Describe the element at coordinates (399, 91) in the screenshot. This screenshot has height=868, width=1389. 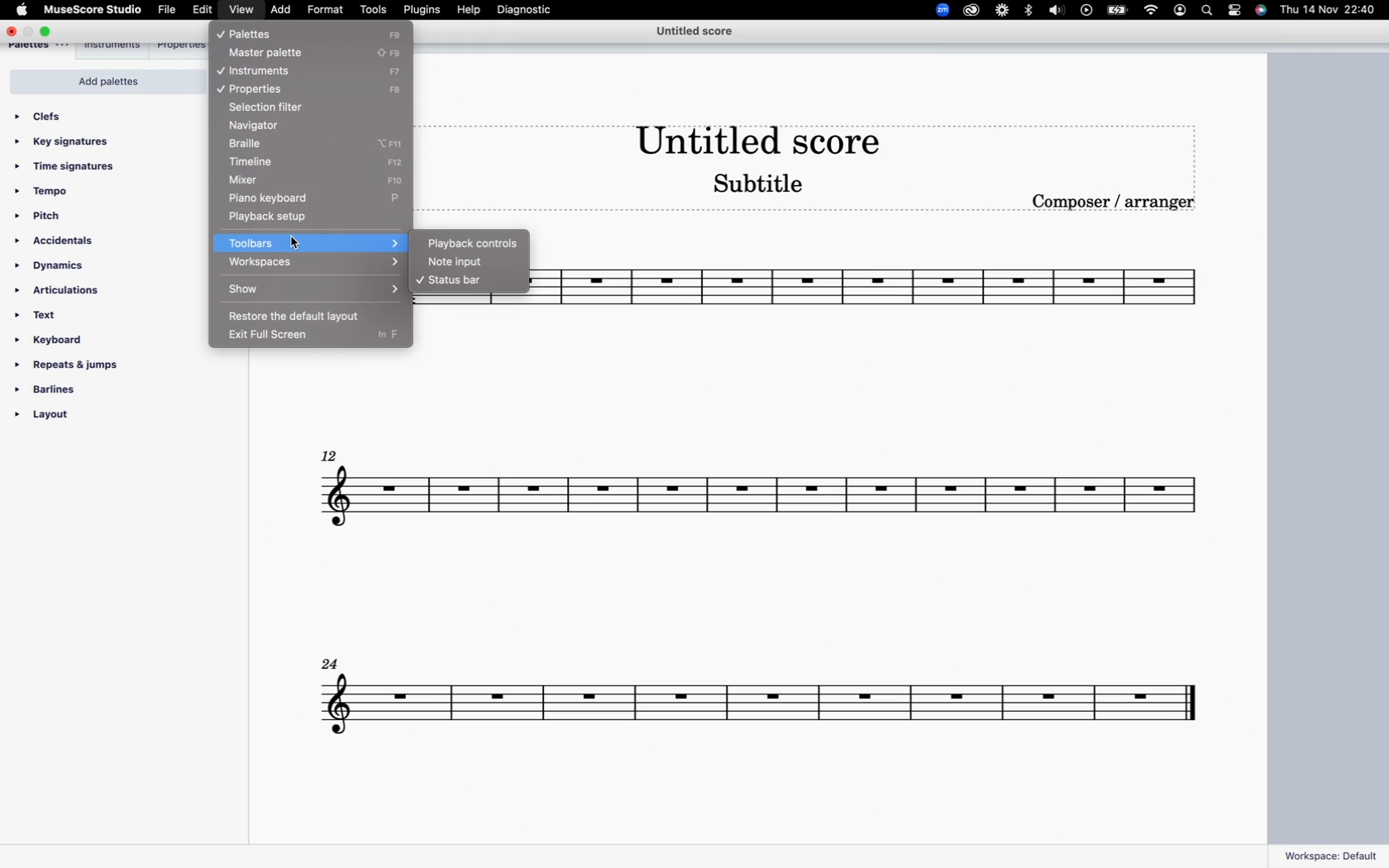
I see `F8` at that location.